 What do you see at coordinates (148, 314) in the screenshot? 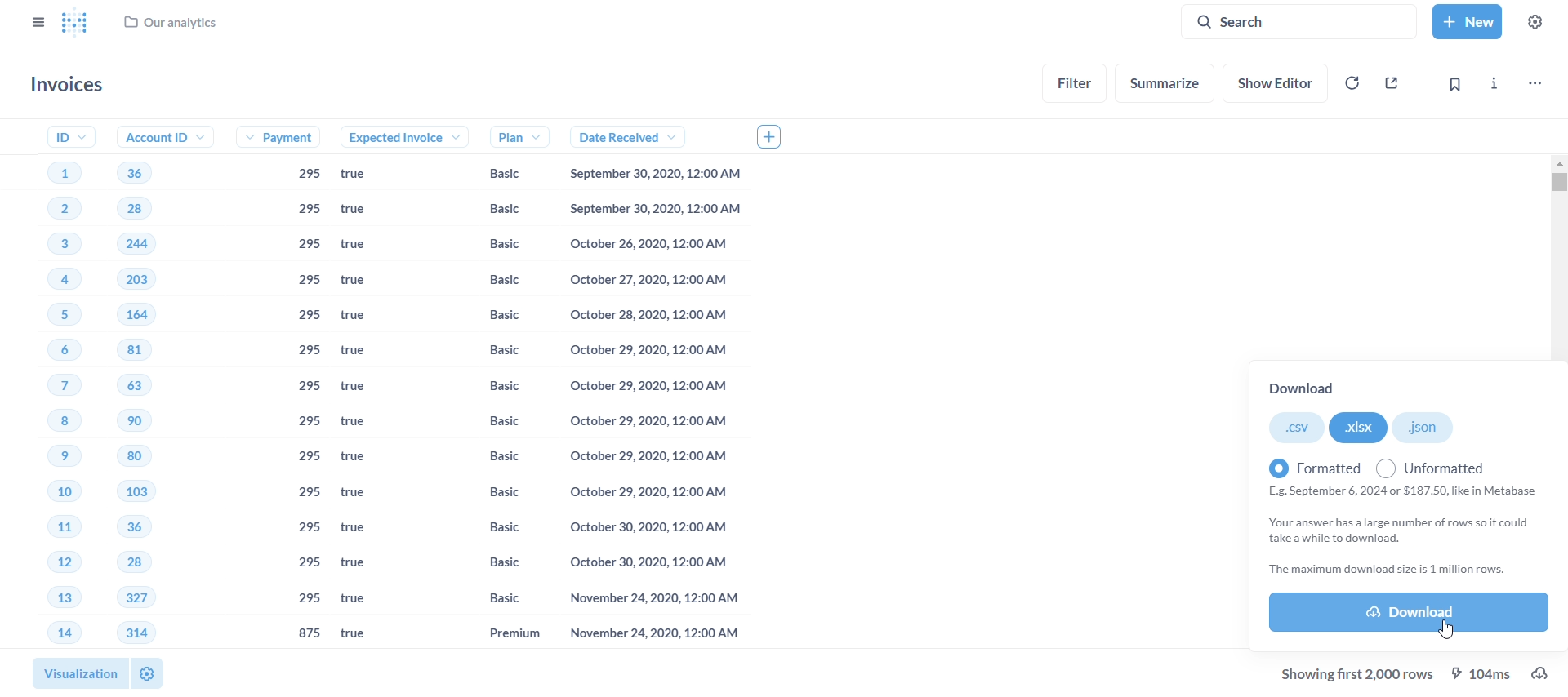
I see `164` at bounding box center [148, 314].